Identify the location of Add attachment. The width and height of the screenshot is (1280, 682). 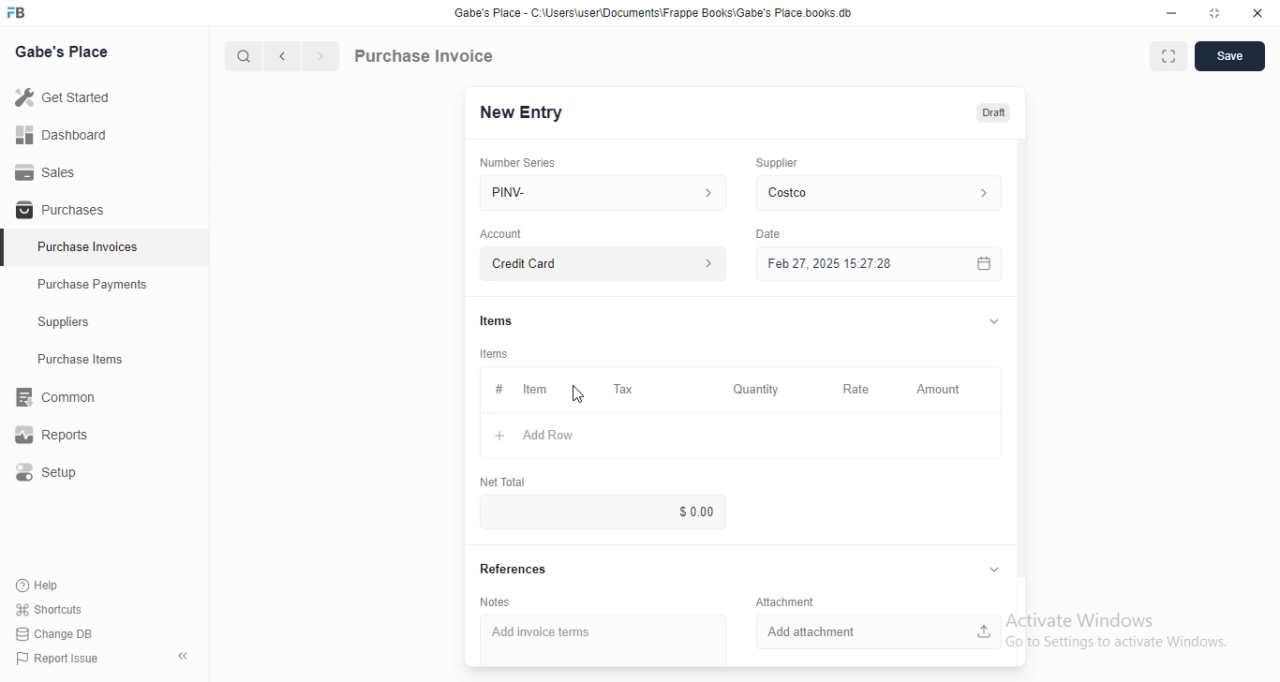
(879, 632).